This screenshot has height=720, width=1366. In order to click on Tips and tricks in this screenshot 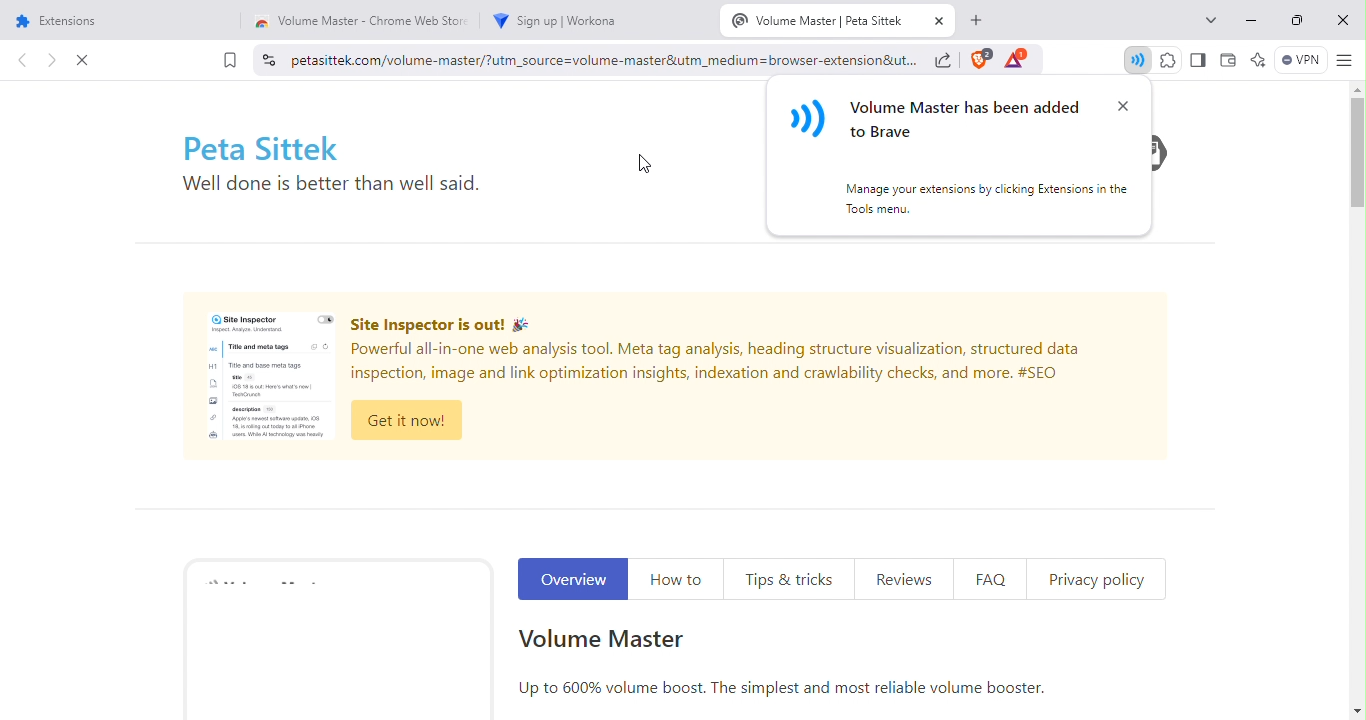, I will do `click(791, 579)`.